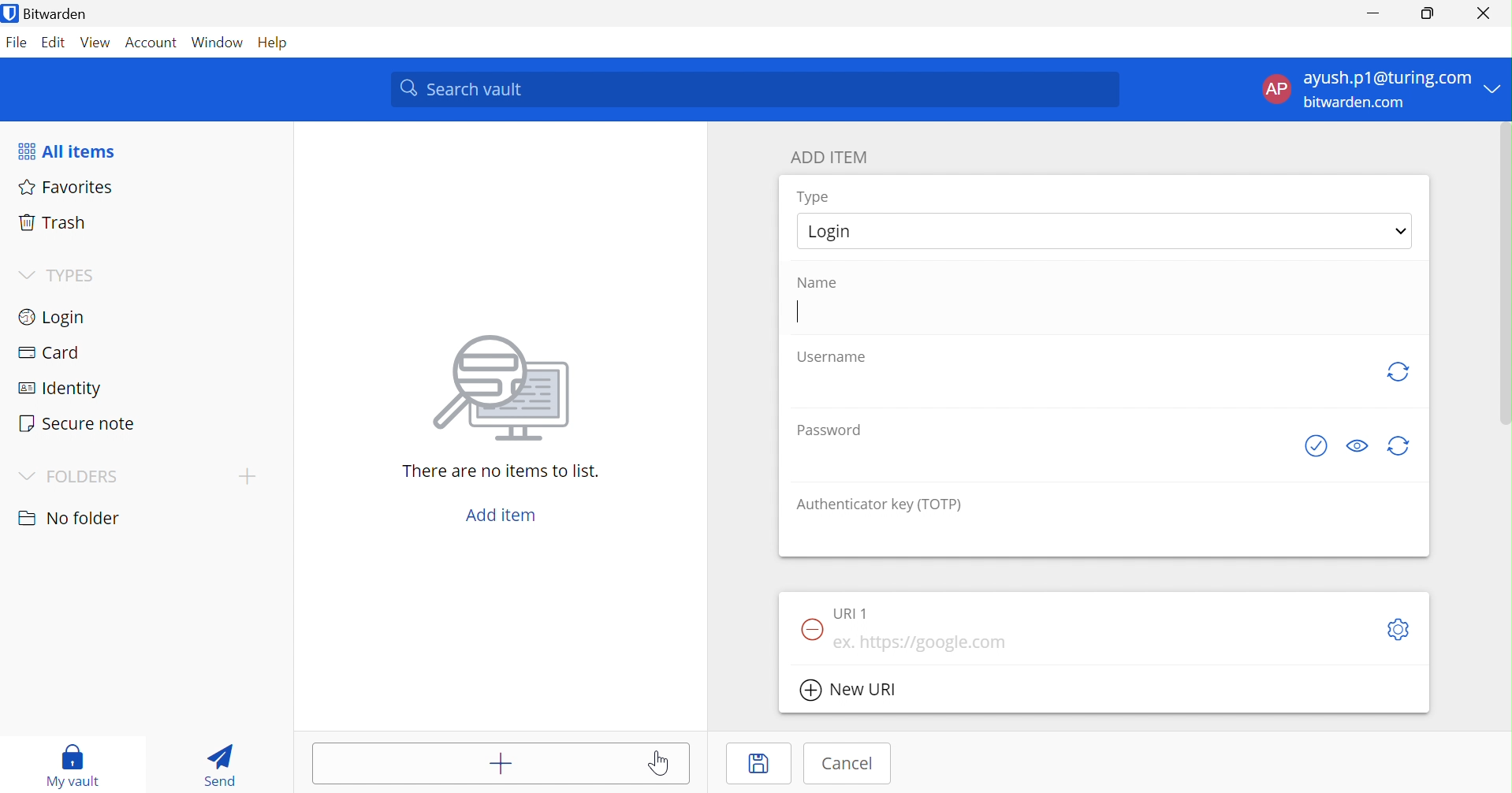  I want to click on Cursor, so click(662, 764).